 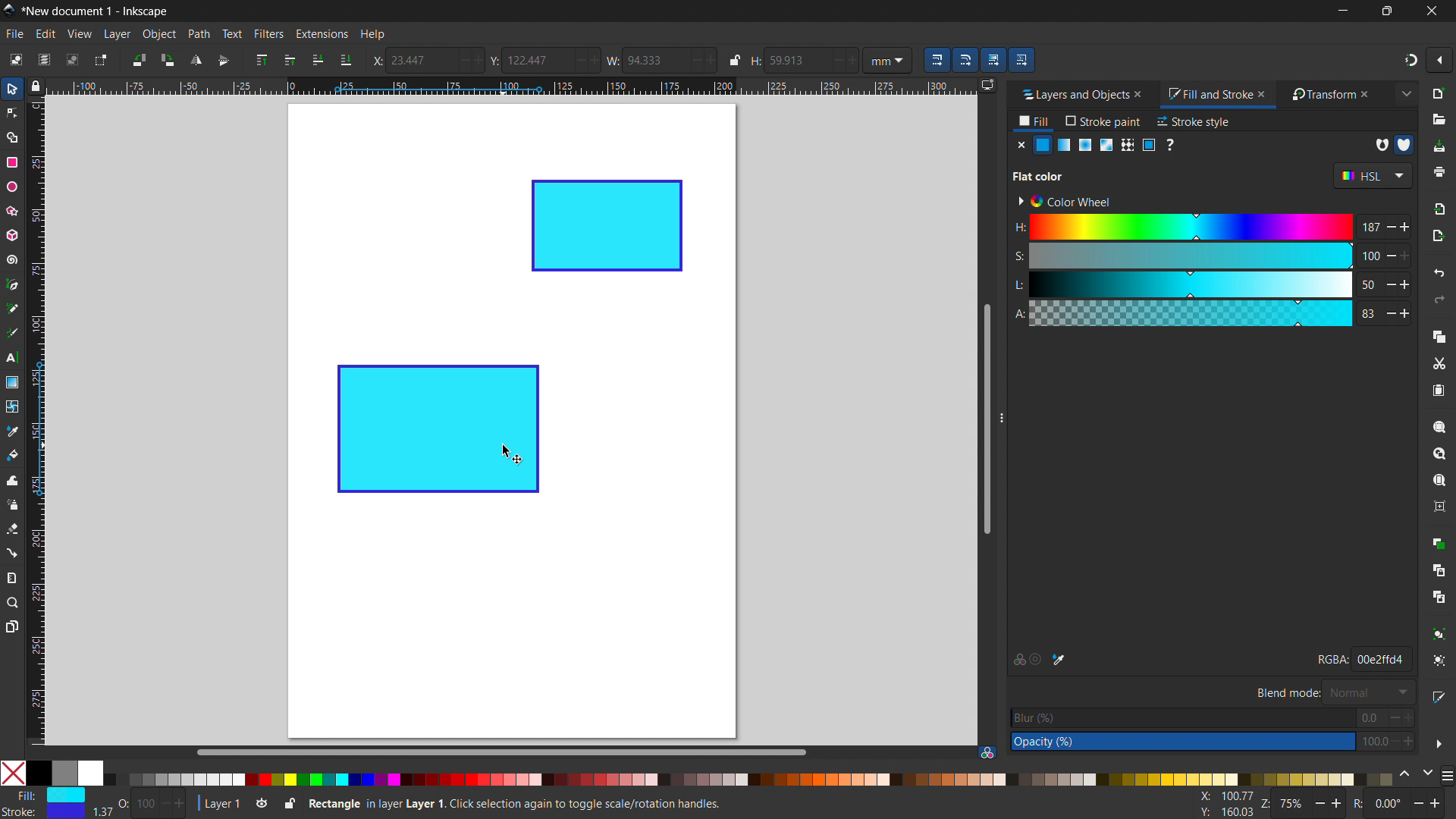 I want to click on width of stroke, so click(x=102, y=812).